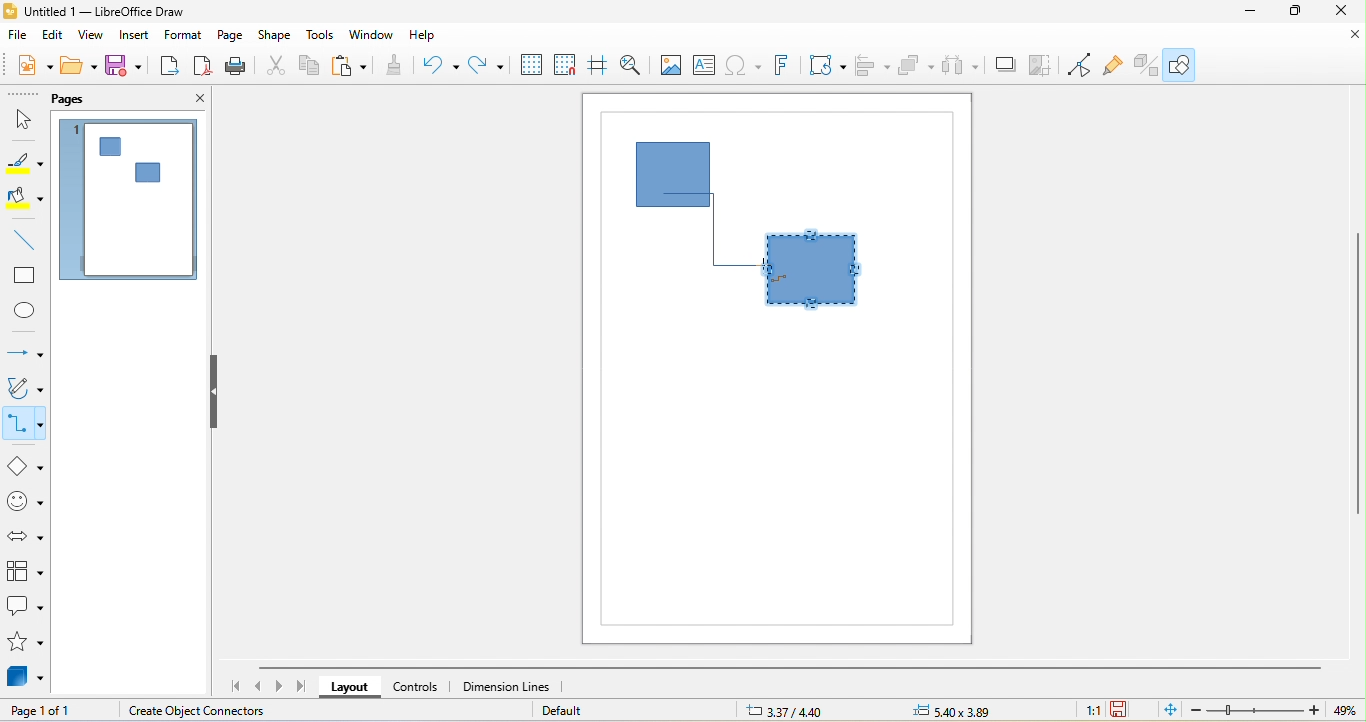 The image size is (1366, 722). What do you see at coordinates (206, 66) in the screenshot?
I see `export directly as pdf` at bounding box center [206, 66].